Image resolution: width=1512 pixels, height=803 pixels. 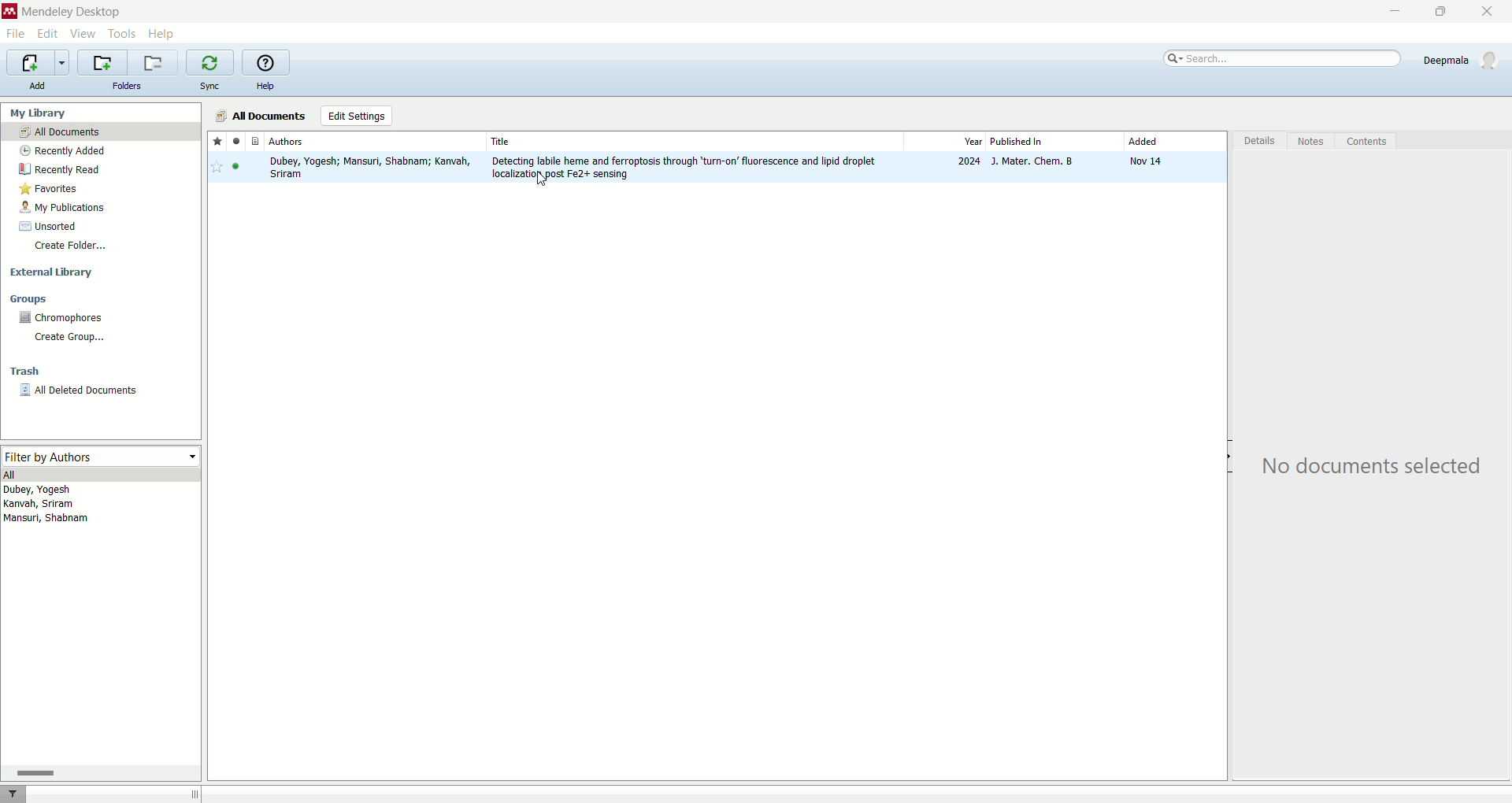 What do you see at coordinates (100, 773) in the screenshot?
I see `horizontal scroll bar` at bounding box center [100, 773].